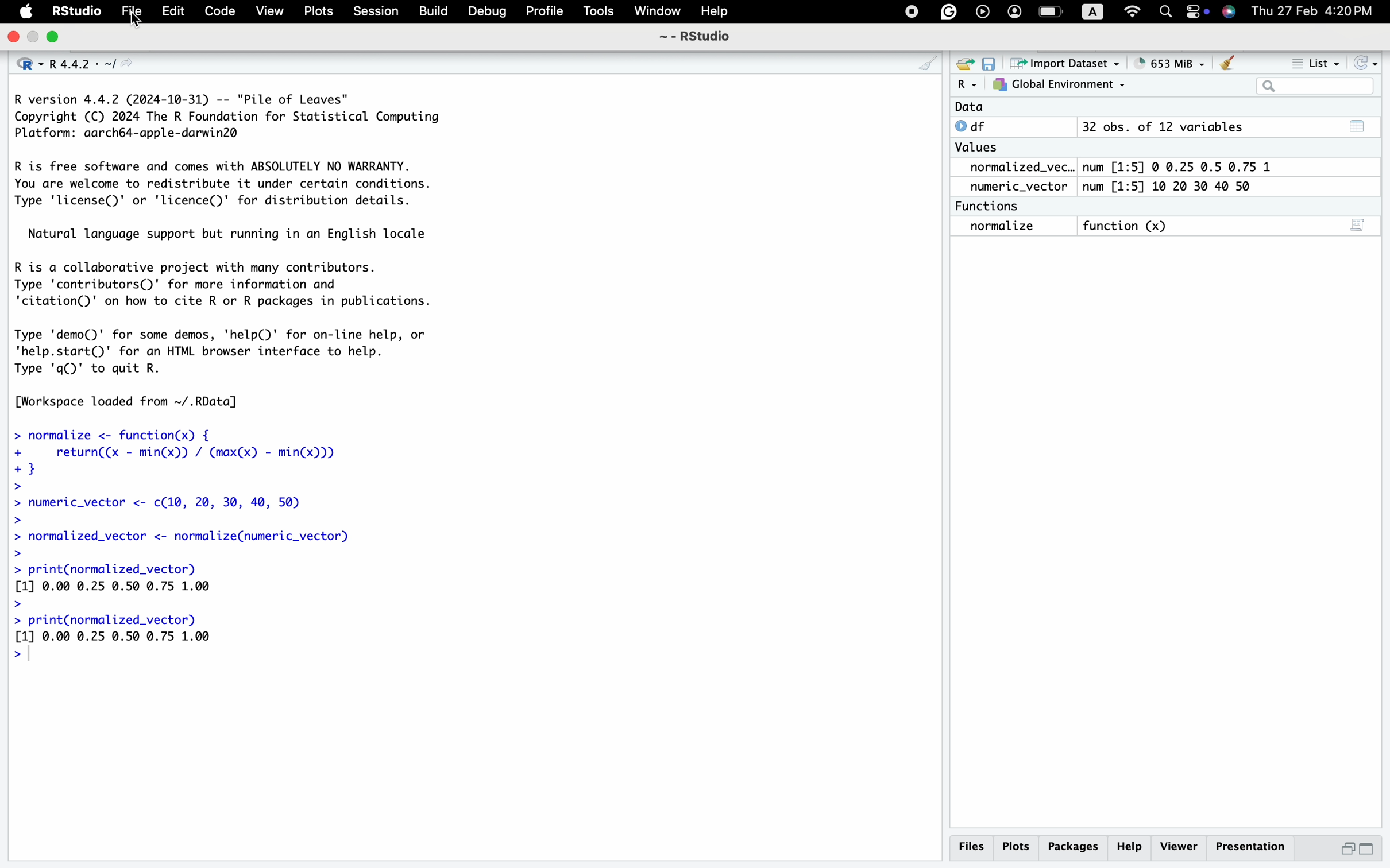  I want to click on Search Bar, so click(1314, 87).